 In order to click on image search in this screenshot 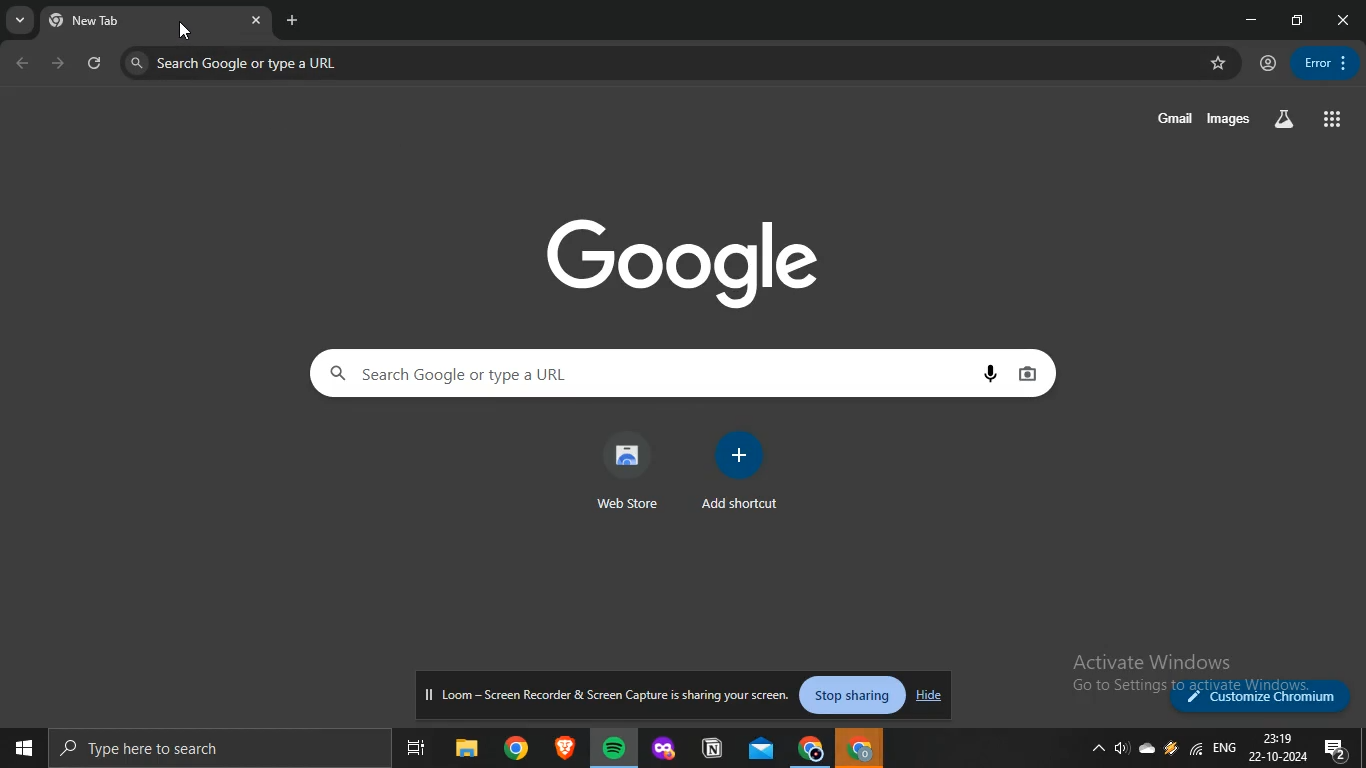, I will do `click(1032, 373)`.